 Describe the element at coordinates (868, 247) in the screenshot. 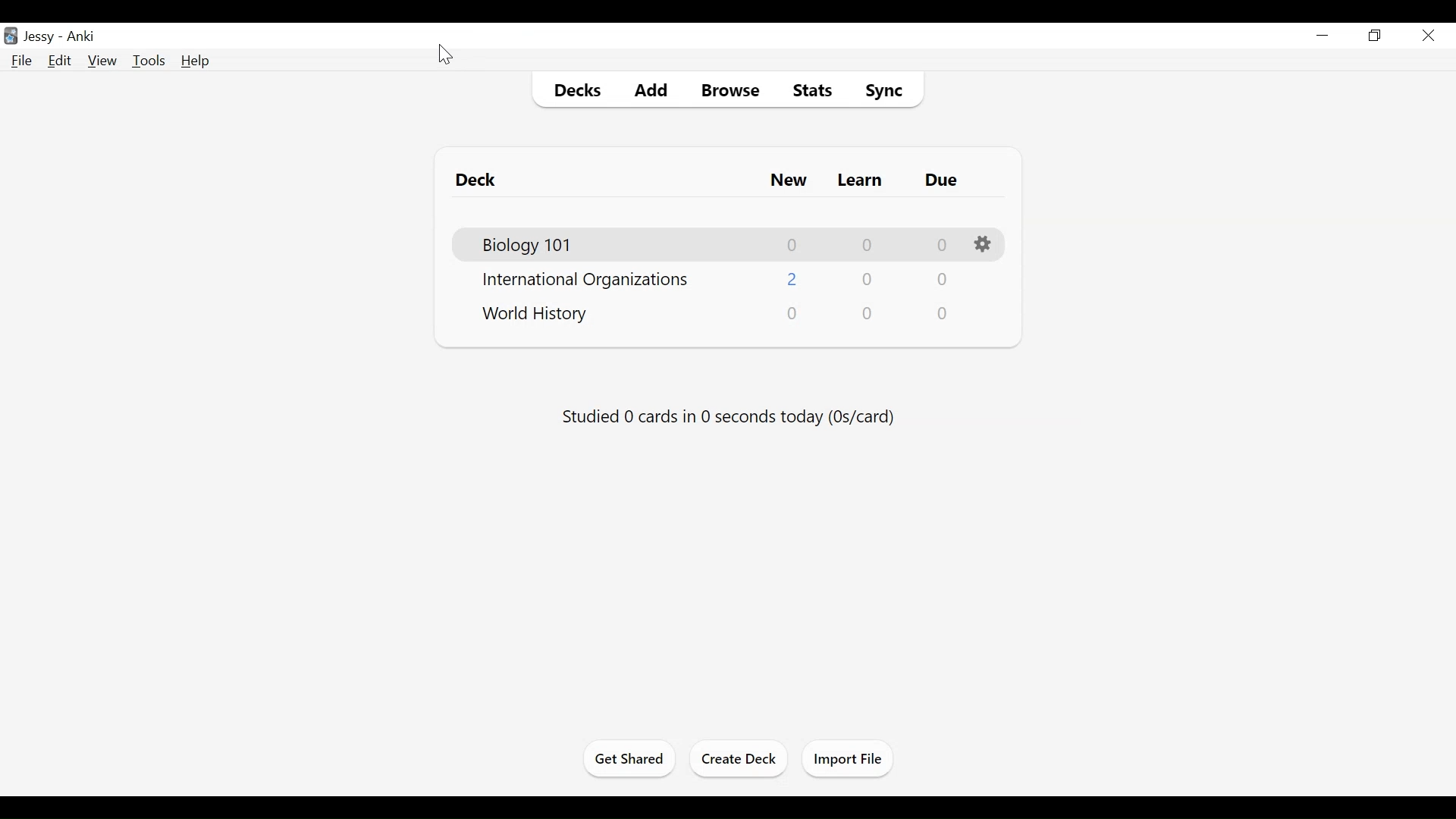

I see `Learn Card Count` at that location.